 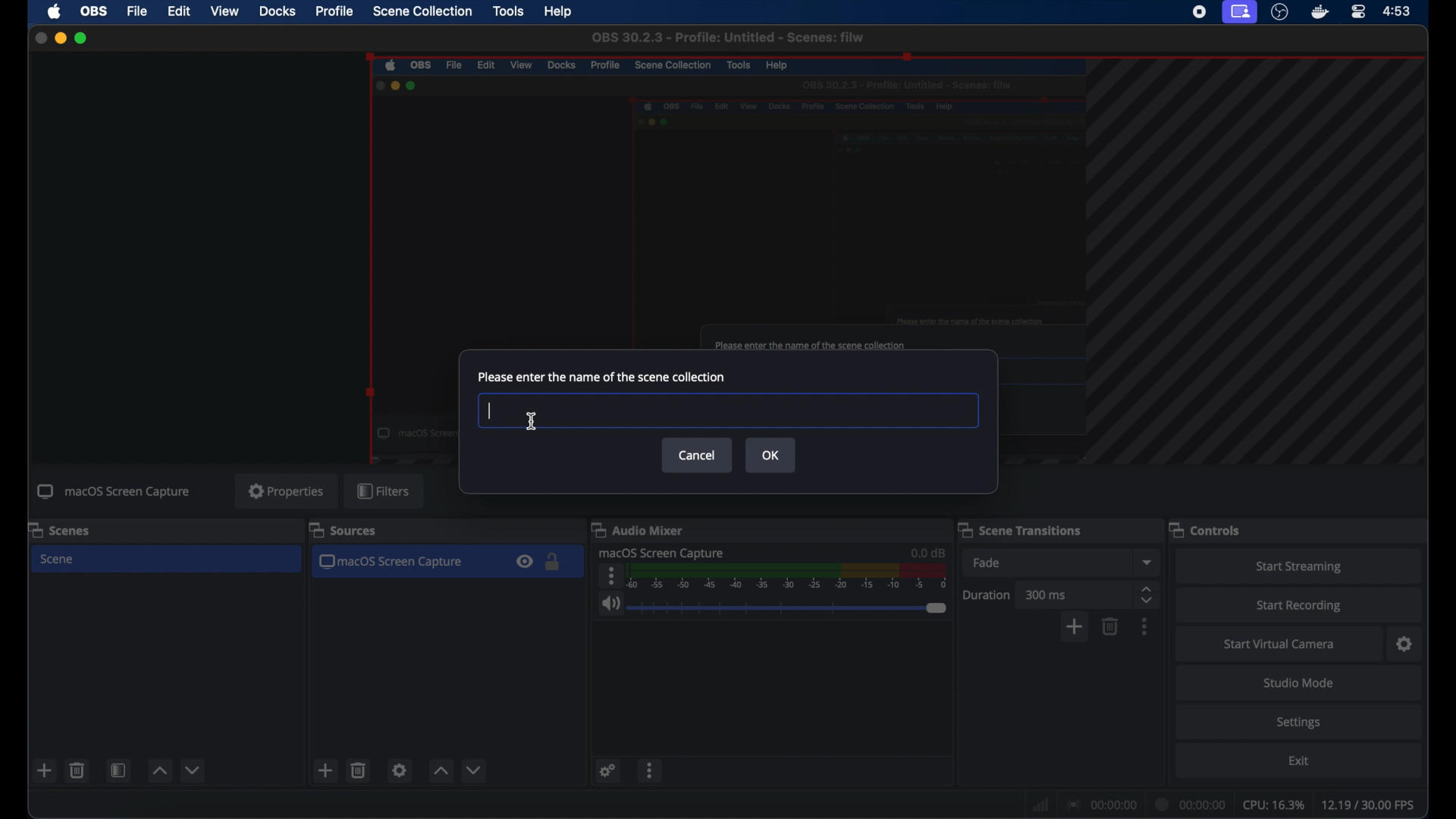 What do you see at coordinates (726, 411) in the screenshot?
I see `` at bounding box center [726, 411].